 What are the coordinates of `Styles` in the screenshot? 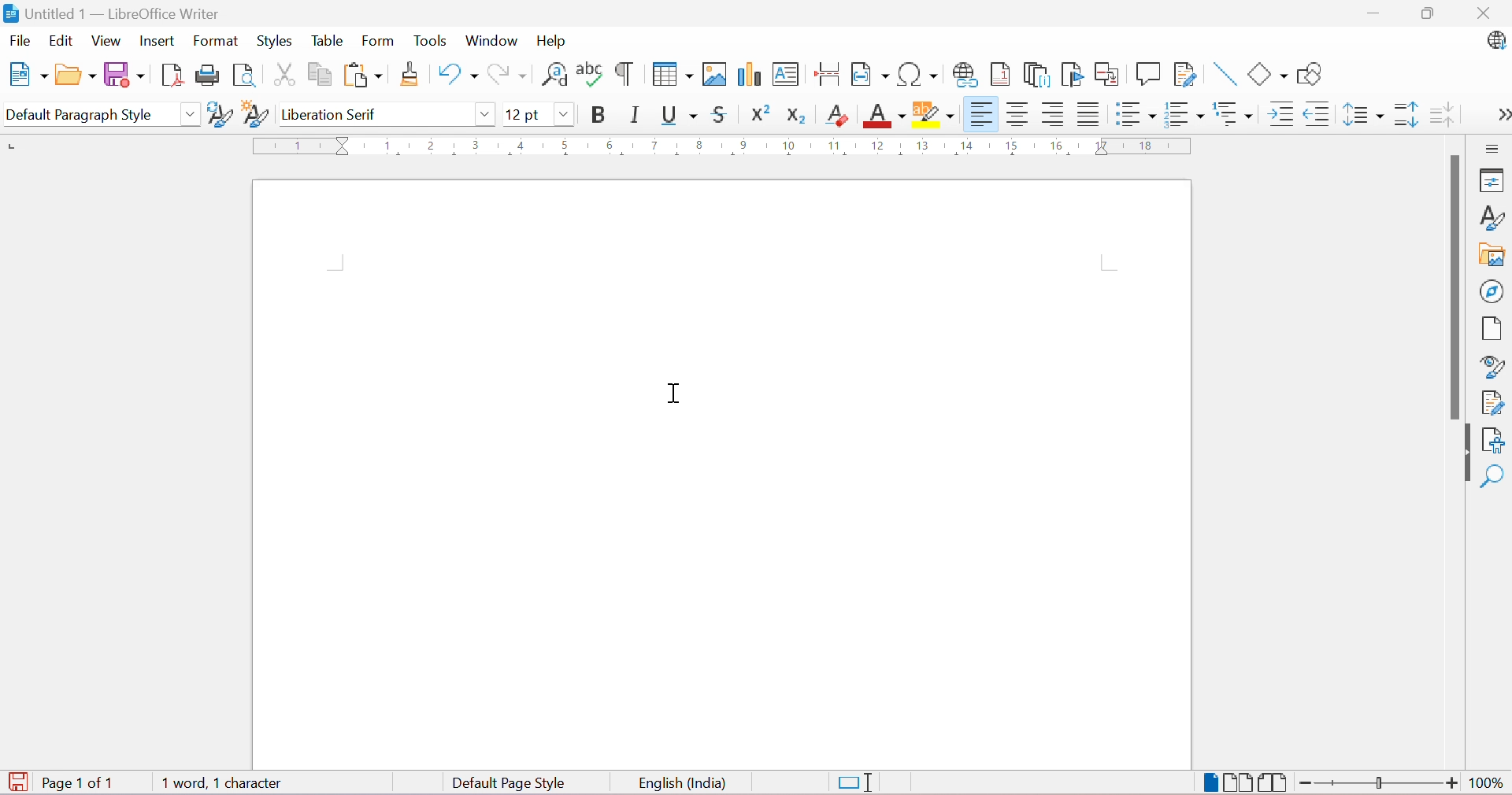 It's located at (272, 40).